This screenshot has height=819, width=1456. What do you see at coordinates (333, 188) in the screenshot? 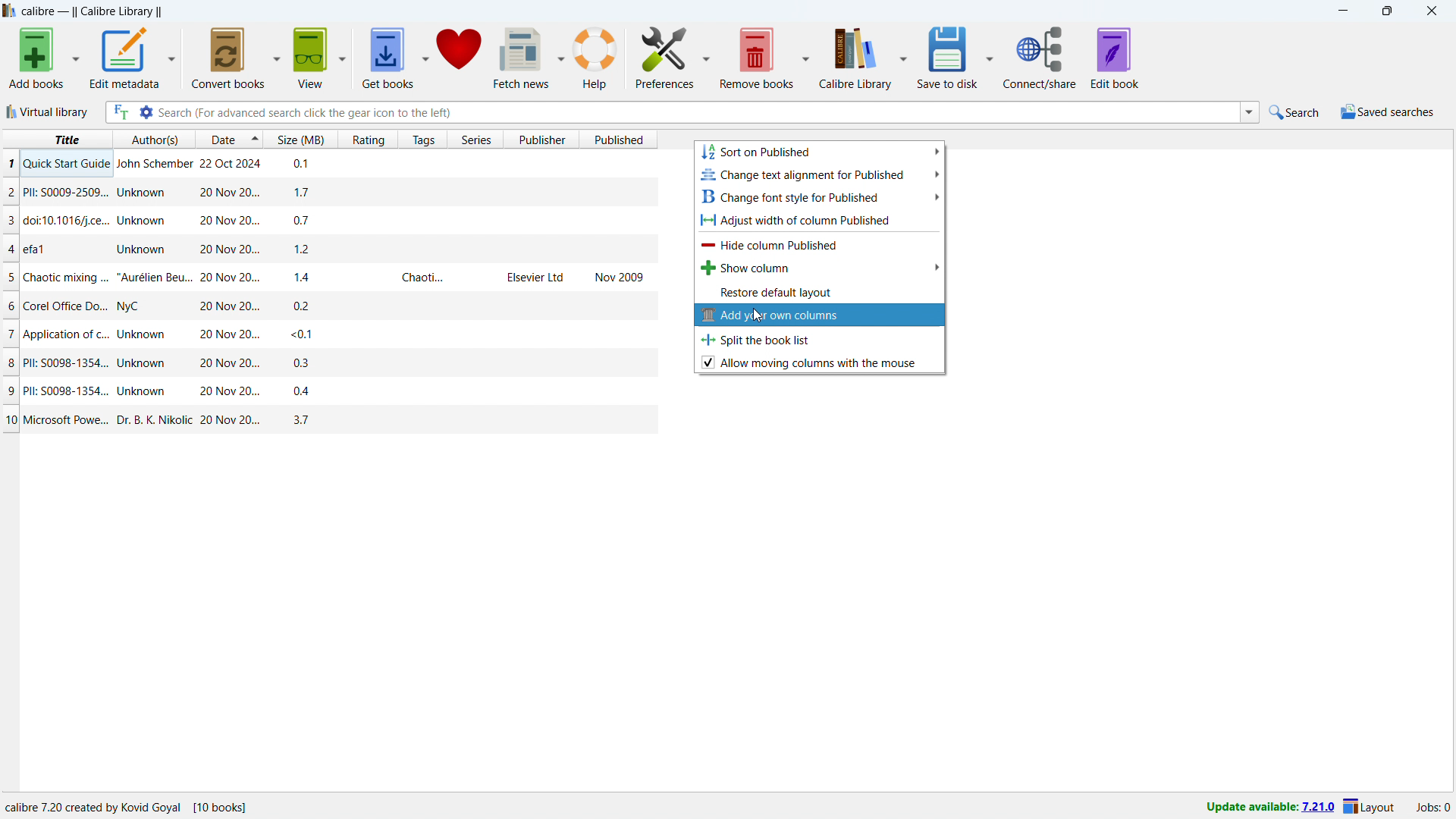
I see `2 Pll: S0009-2509... Unknown 20 Nov 20... 17` at bounding box center [333, 188].